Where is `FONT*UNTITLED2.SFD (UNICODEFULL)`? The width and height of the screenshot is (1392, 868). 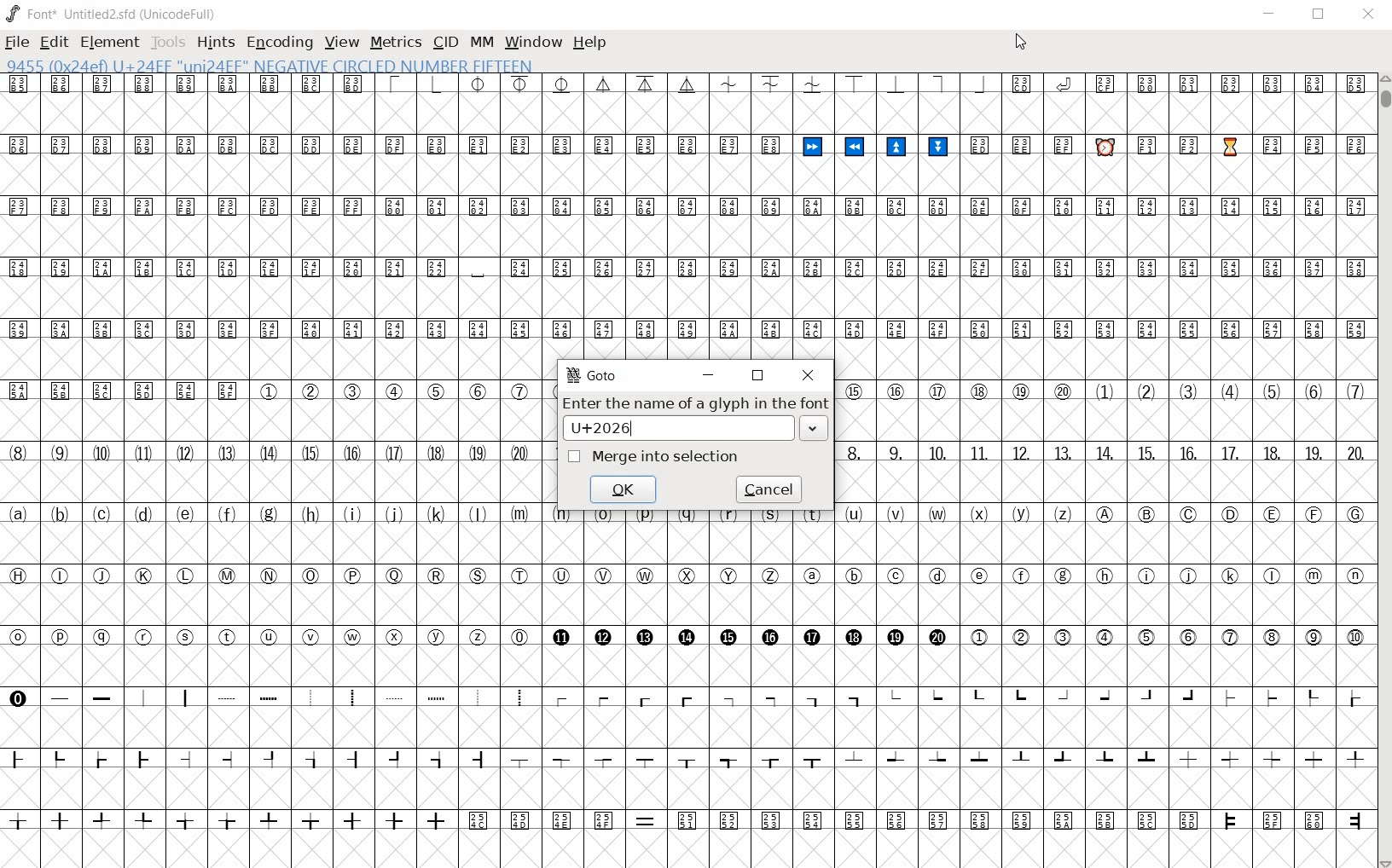 FONT*UNTITLED2.SFD (UNICODEFULL) is located at coordinates (114, 12).